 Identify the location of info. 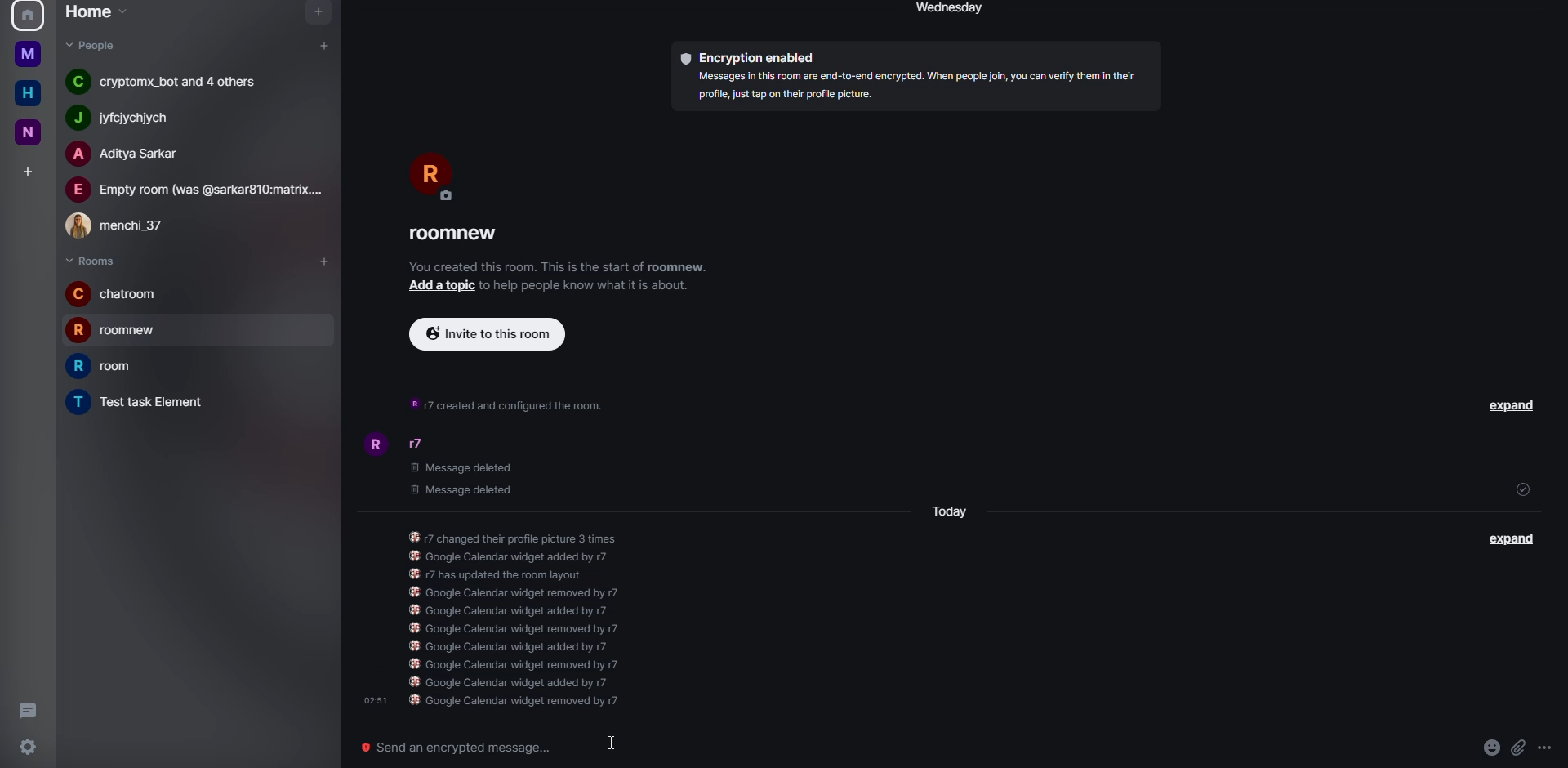
(594, 288).